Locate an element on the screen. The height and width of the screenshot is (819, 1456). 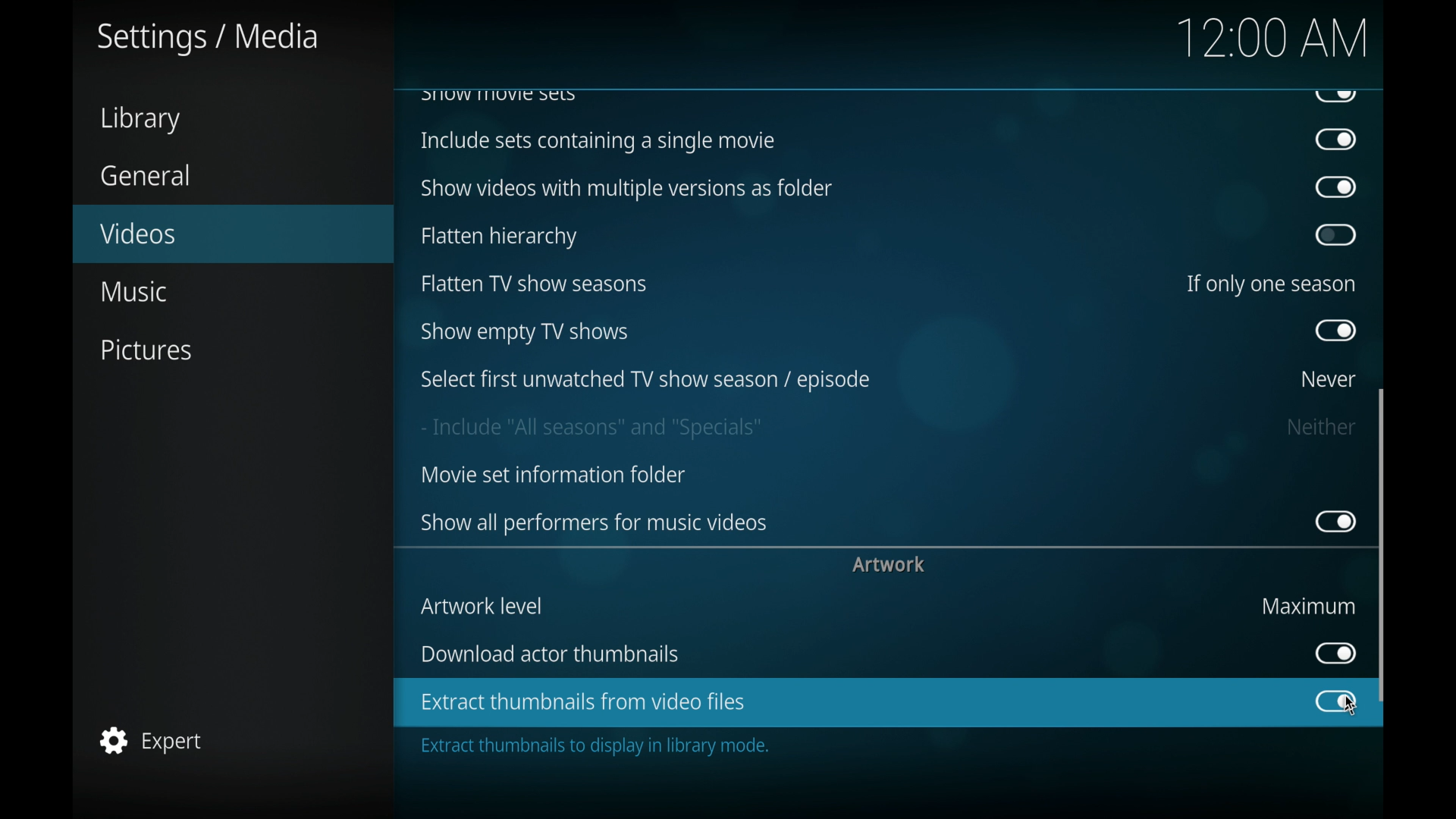
settings/media is located at coordinates (206, 38).